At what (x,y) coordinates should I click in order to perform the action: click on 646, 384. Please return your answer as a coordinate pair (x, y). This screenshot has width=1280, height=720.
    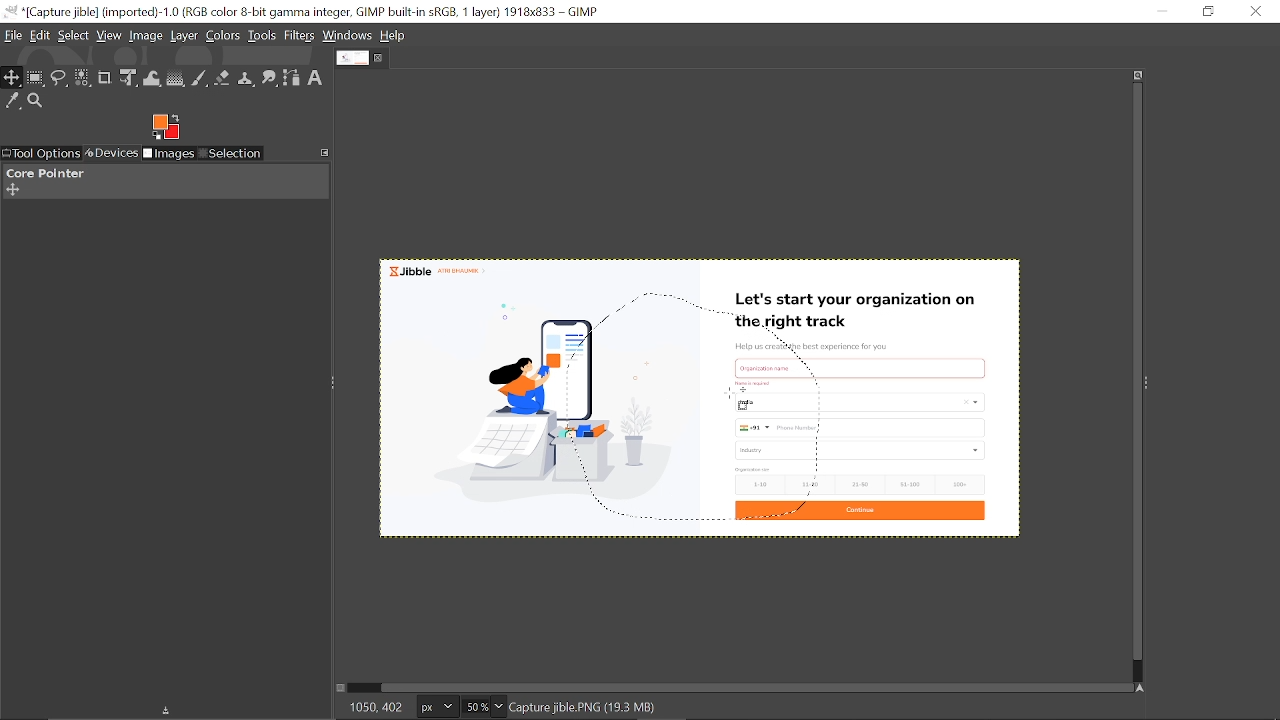
    Looking at the image, I should click on (376, 706).